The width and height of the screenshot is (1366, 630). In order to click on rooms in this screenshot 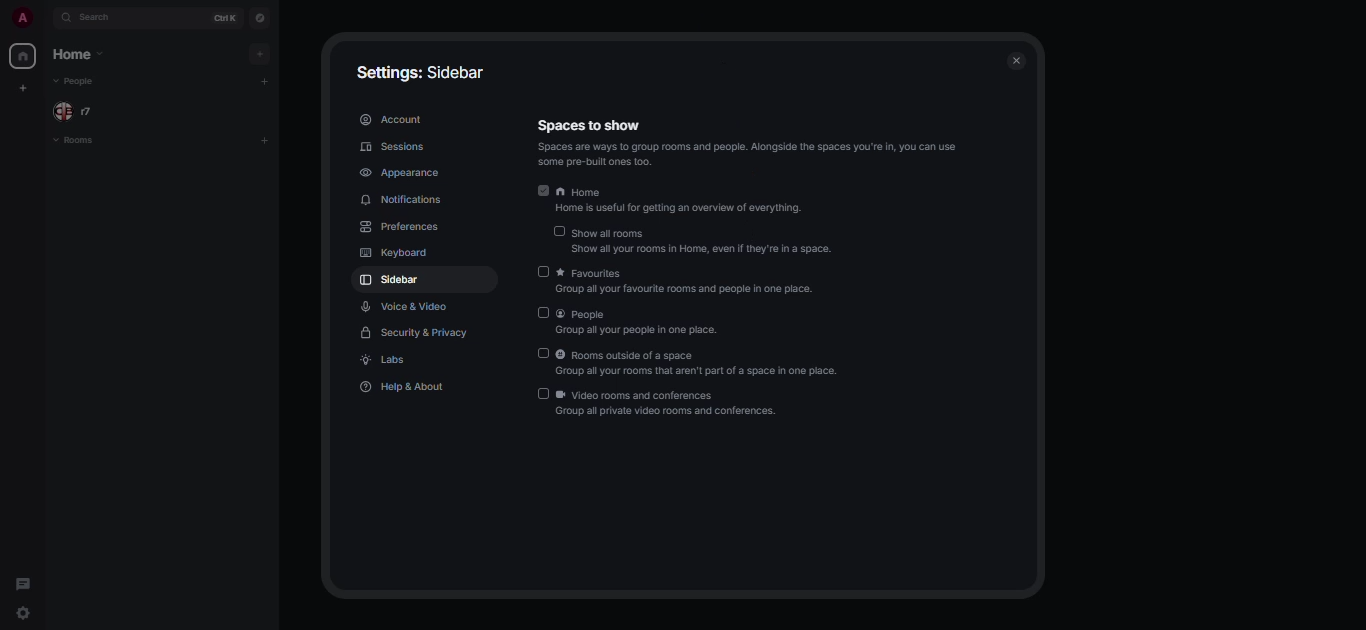, I will do `click(74, 141)`.